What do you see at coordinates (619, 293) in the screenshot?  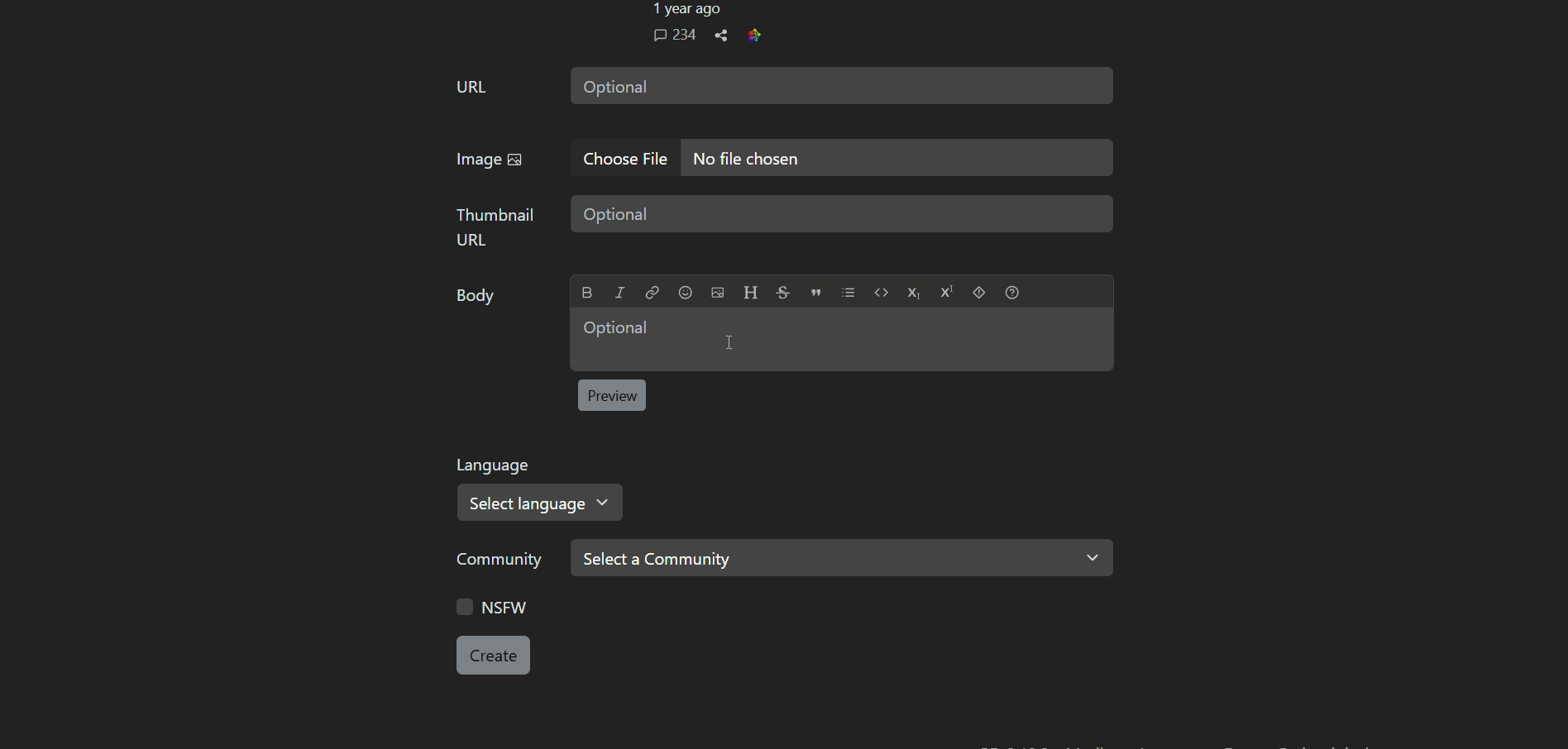 I see `Italic` at bounding box center [619, 293].